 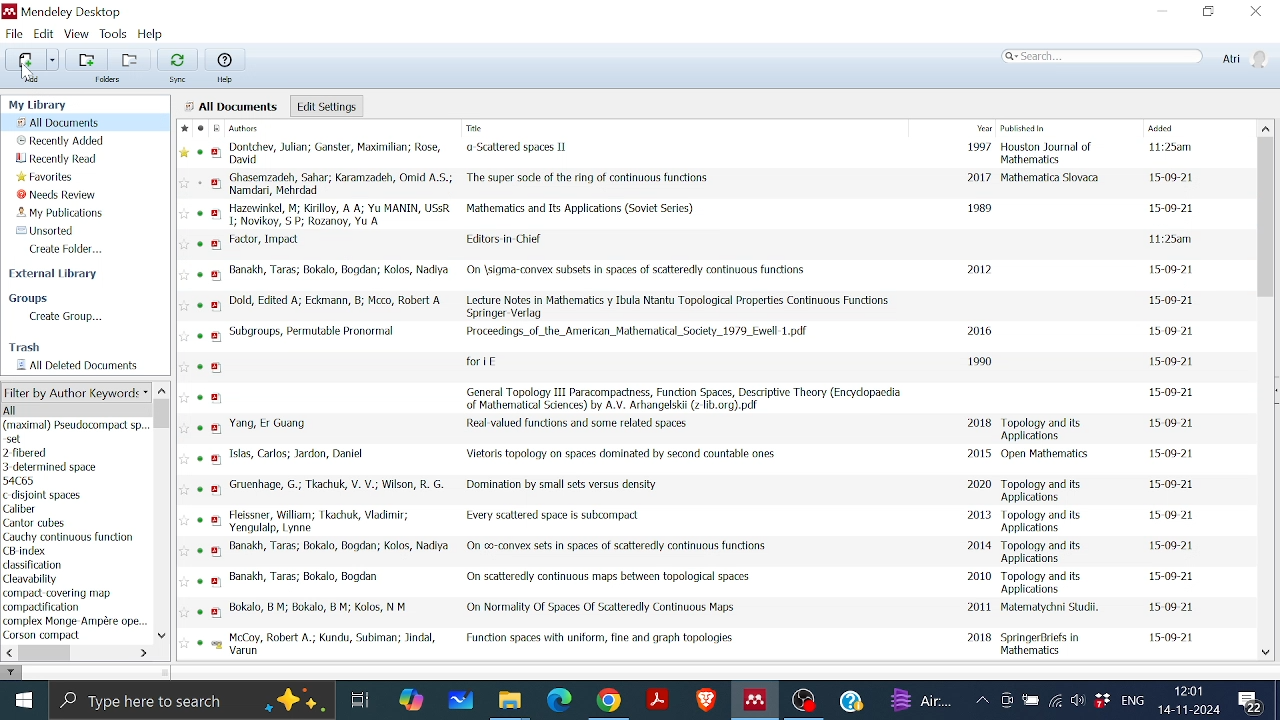 What do you see at coordinates (216, 183) in the screenshot?
I see `pdf` at bounding box center [216, 183].